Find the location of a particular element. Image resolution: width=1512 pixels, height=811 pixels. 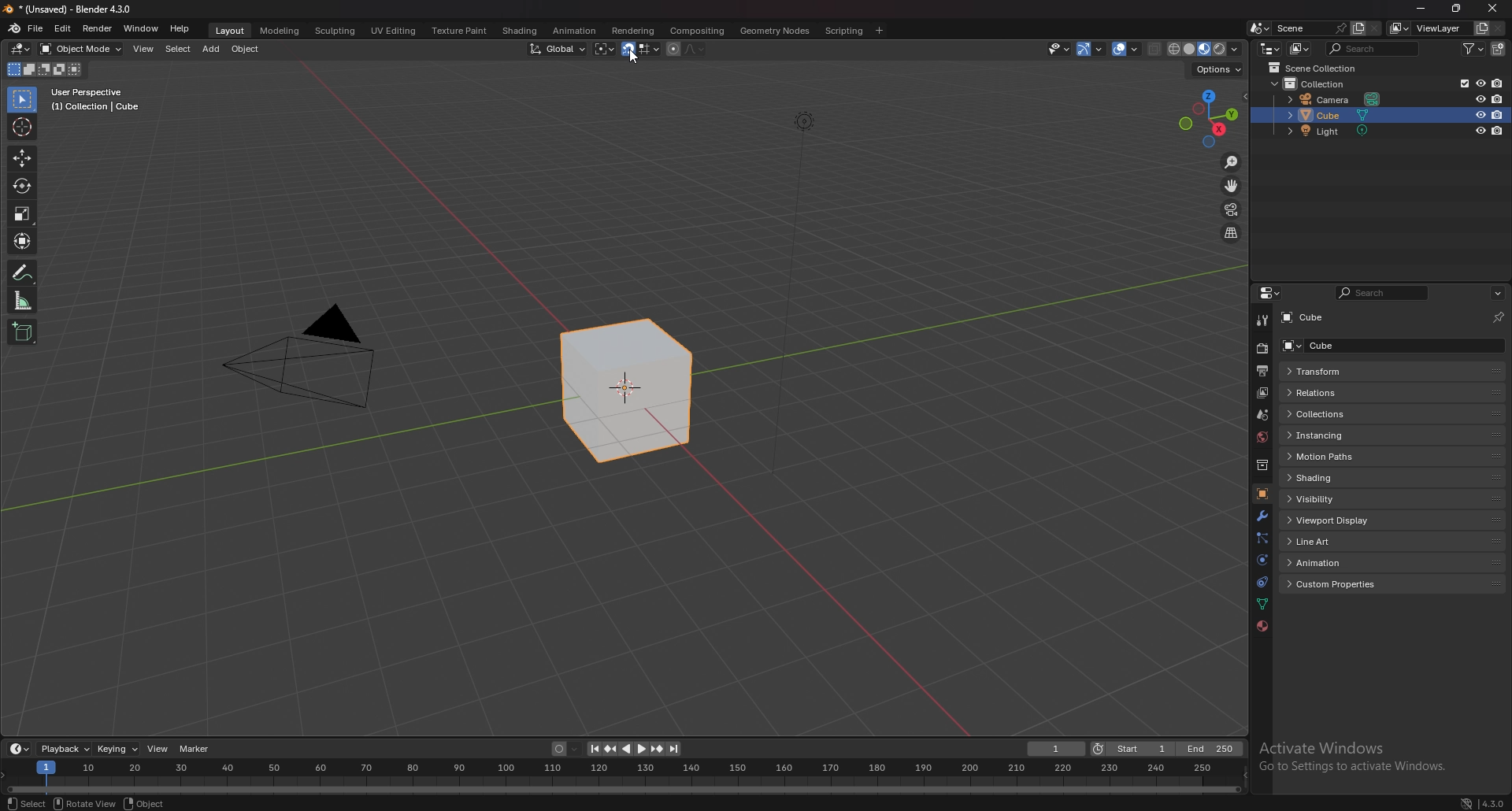

search is located at coordinates (1384, 293).